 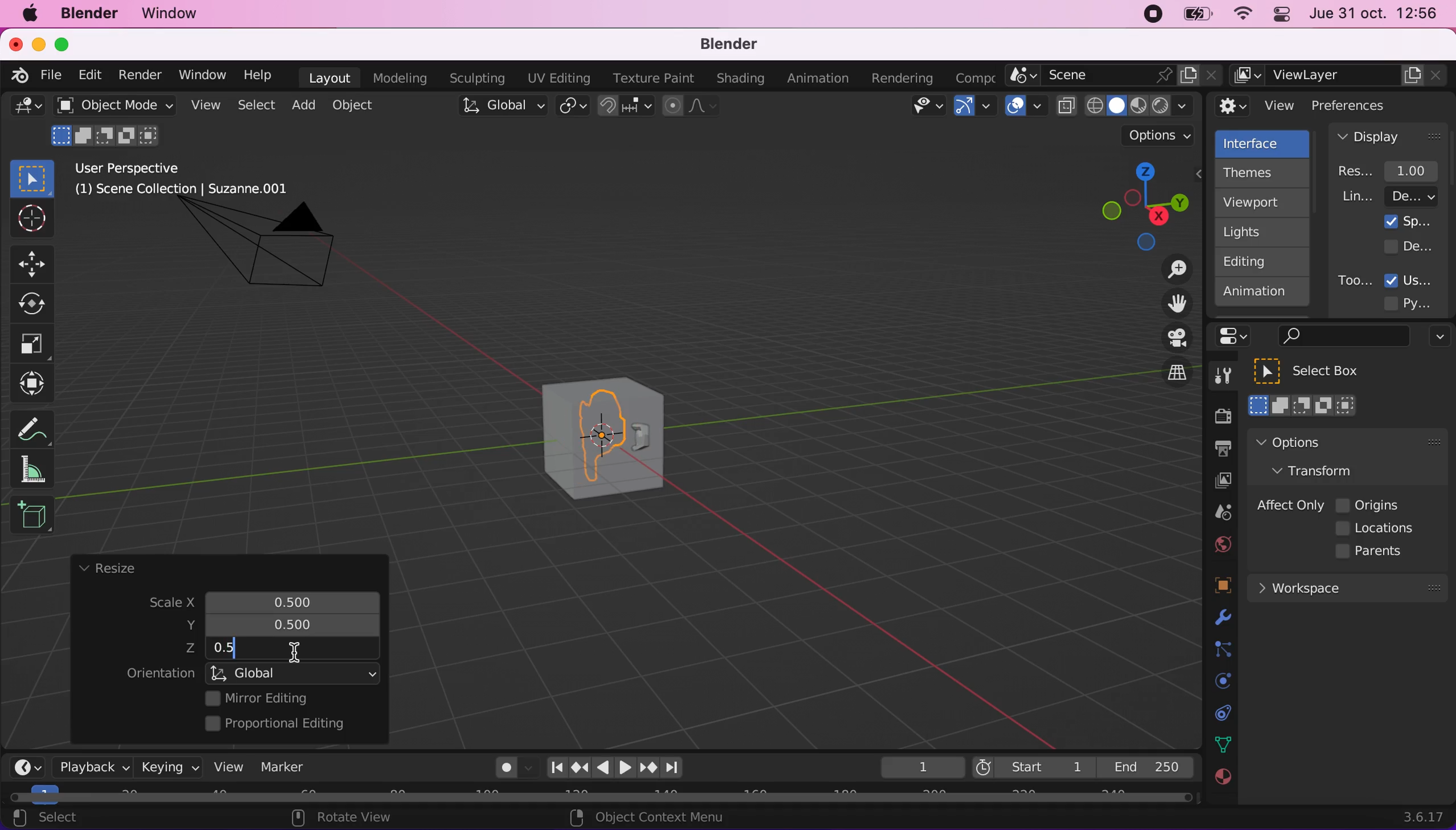 I want to click on objects, so click(x=1209, y=587).